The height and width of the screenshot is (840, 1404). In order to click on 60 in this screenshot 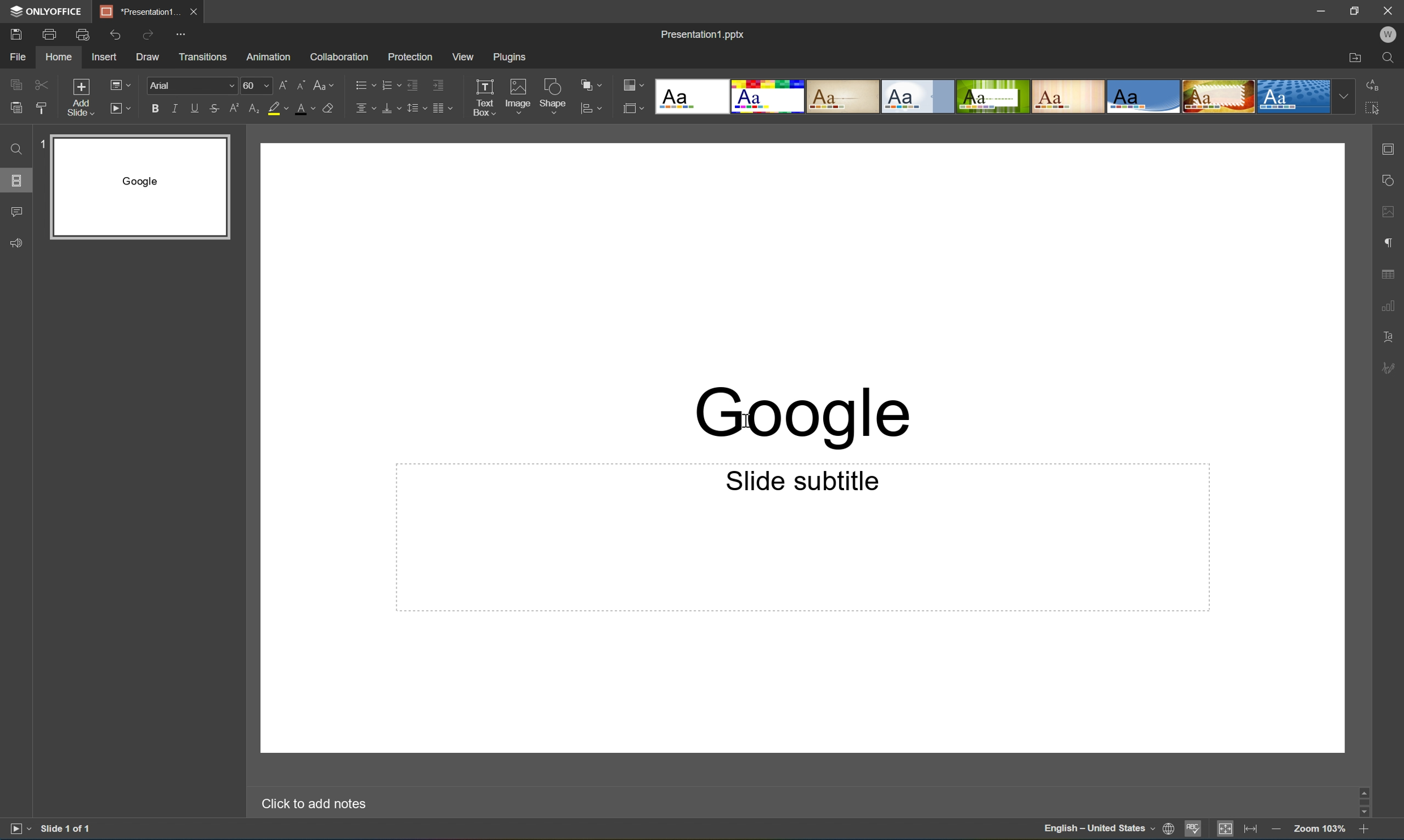, I will do `click(254, 85)`.